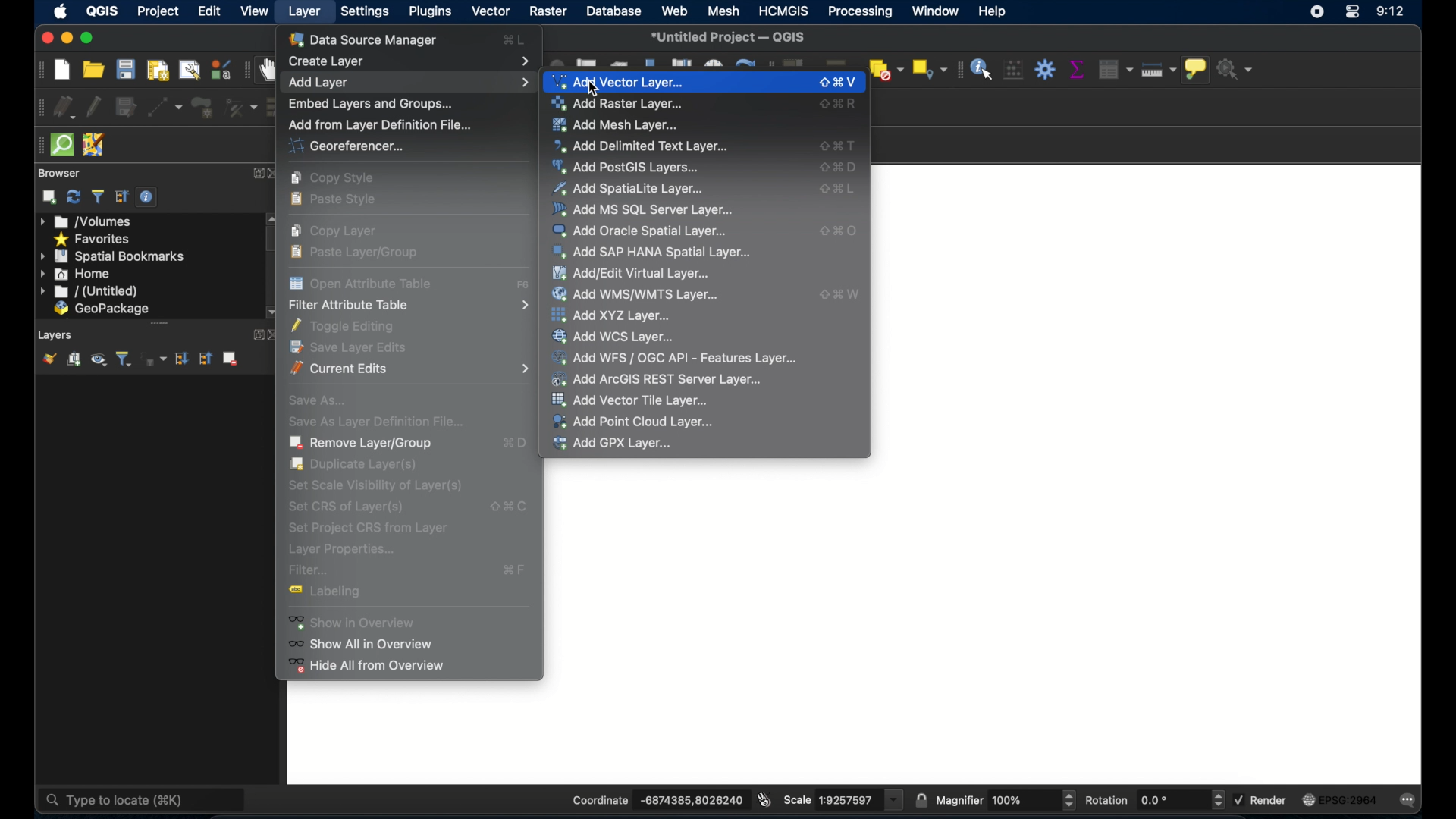  I want to click on addselected layers, so click(49, 197).